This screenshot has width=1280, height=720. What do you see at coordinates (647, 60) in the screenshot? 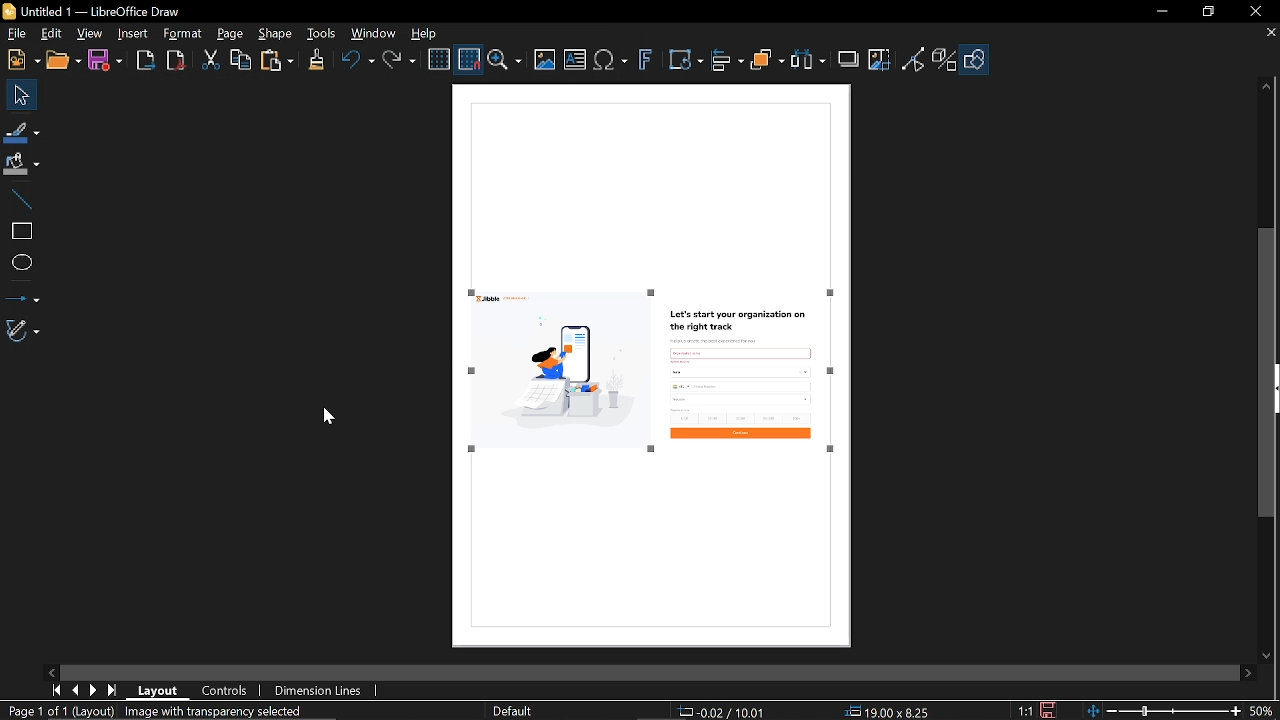
I see `Insert fontwork text` at bounding box center [647, 60].